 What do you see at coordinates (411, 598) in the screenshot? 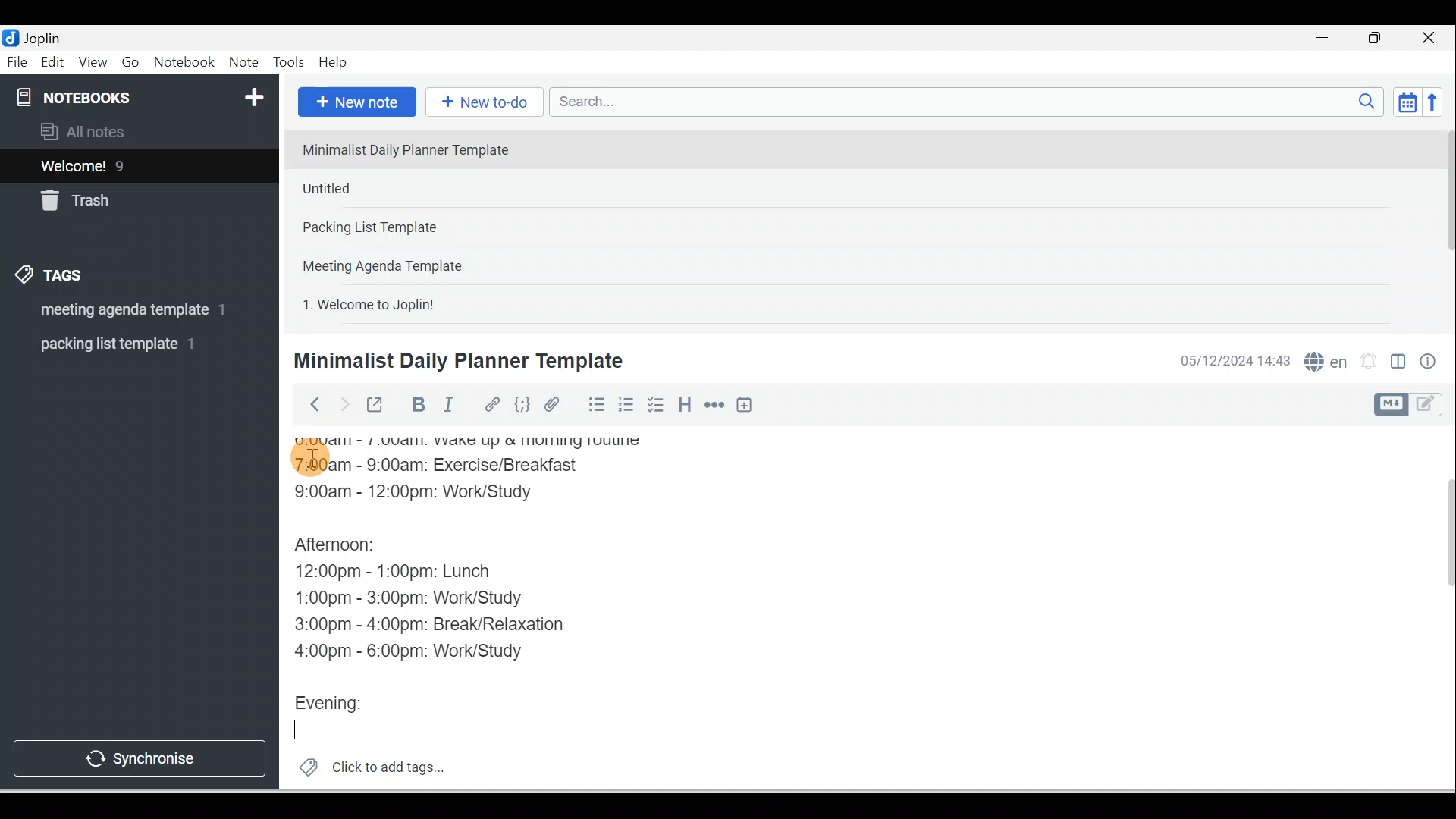
I see `1:00pm - 3:00pm: Work/Study` at bounding box center [411, 598].